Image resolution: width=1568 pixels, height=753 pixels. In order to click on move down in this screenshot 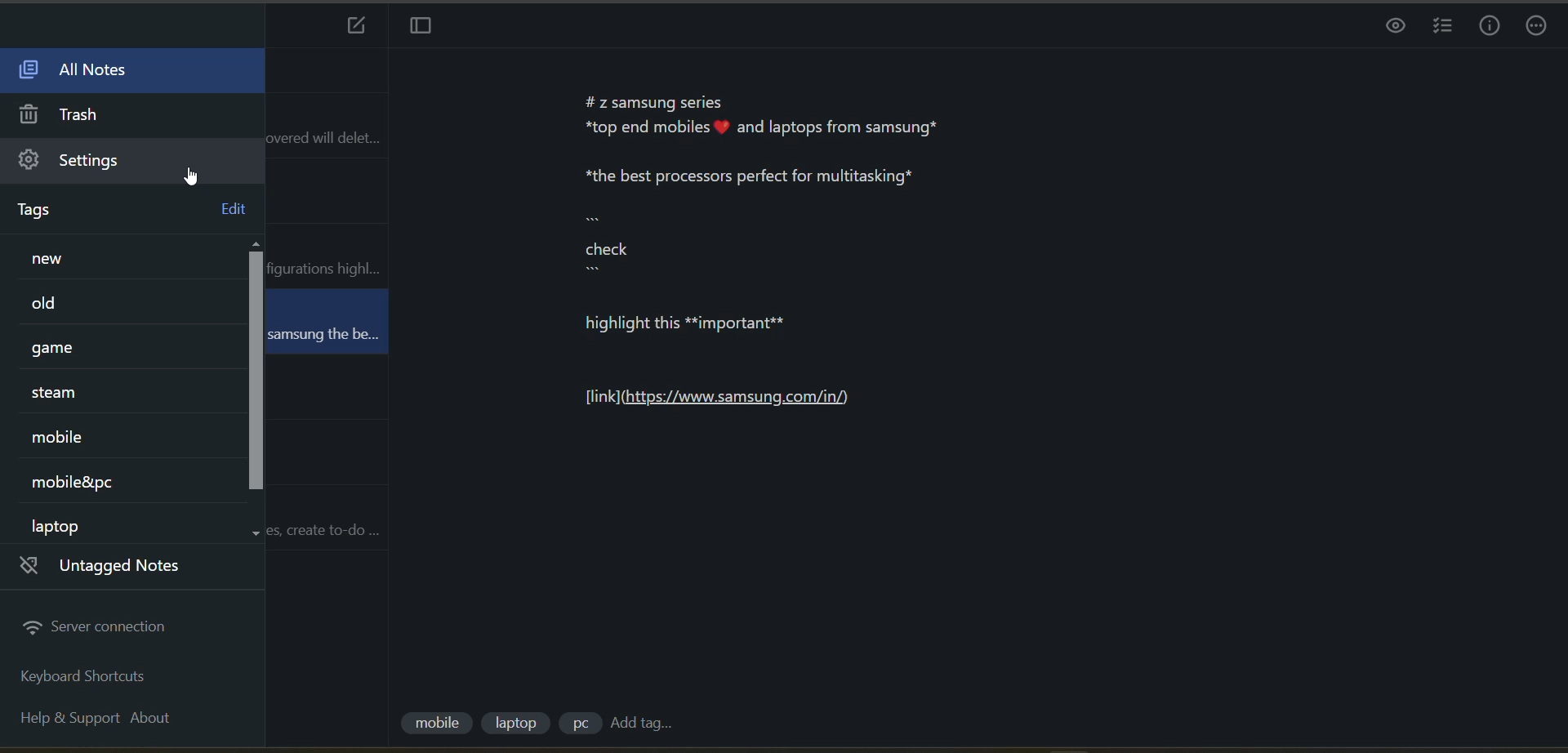, I will do `click(259, 533)`.